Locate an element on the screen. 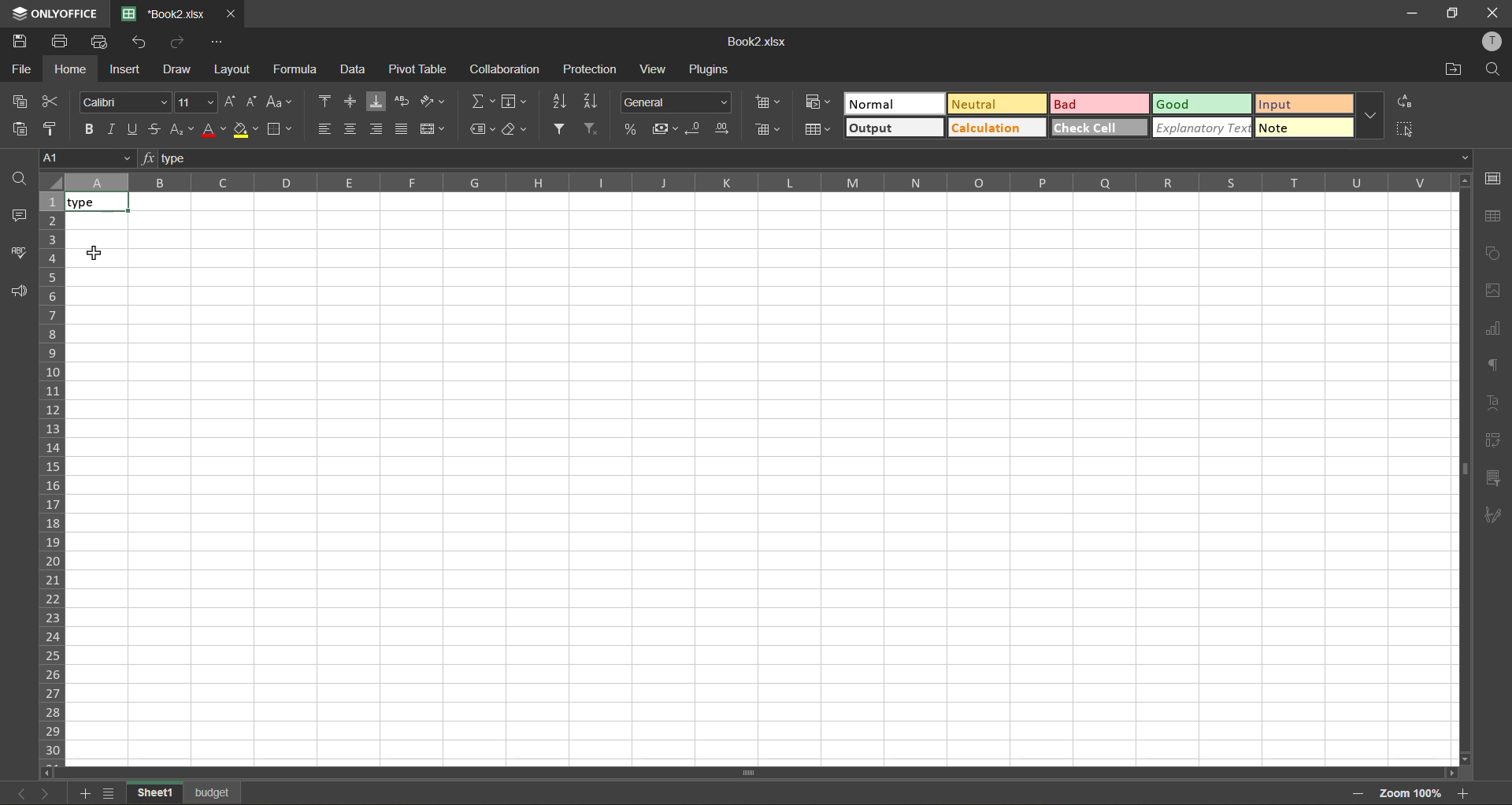  undo is located at coordinates (143, 43).